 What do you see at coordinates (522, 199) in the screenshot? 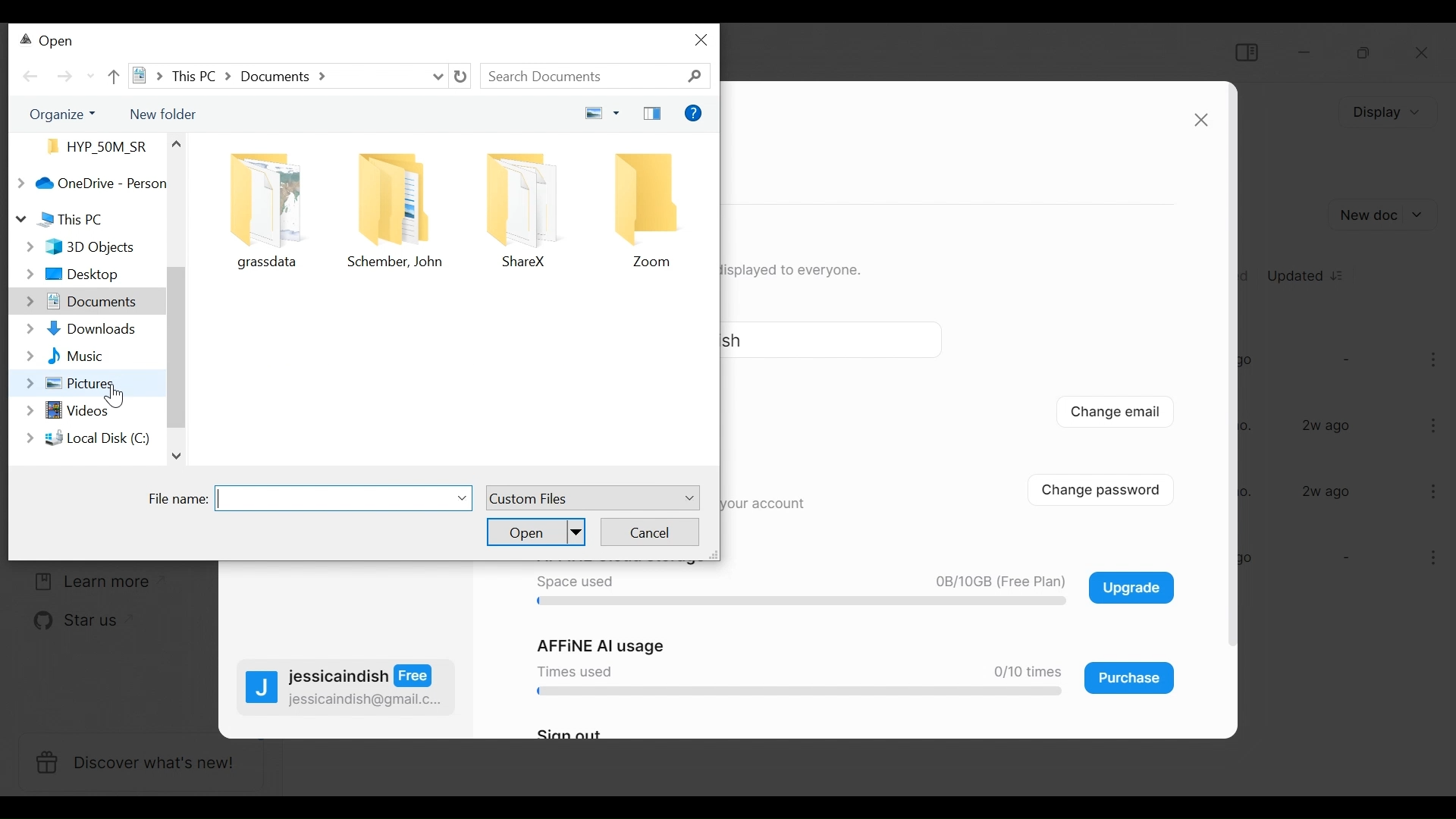
I see `icon` at bounding box center [522, 199].